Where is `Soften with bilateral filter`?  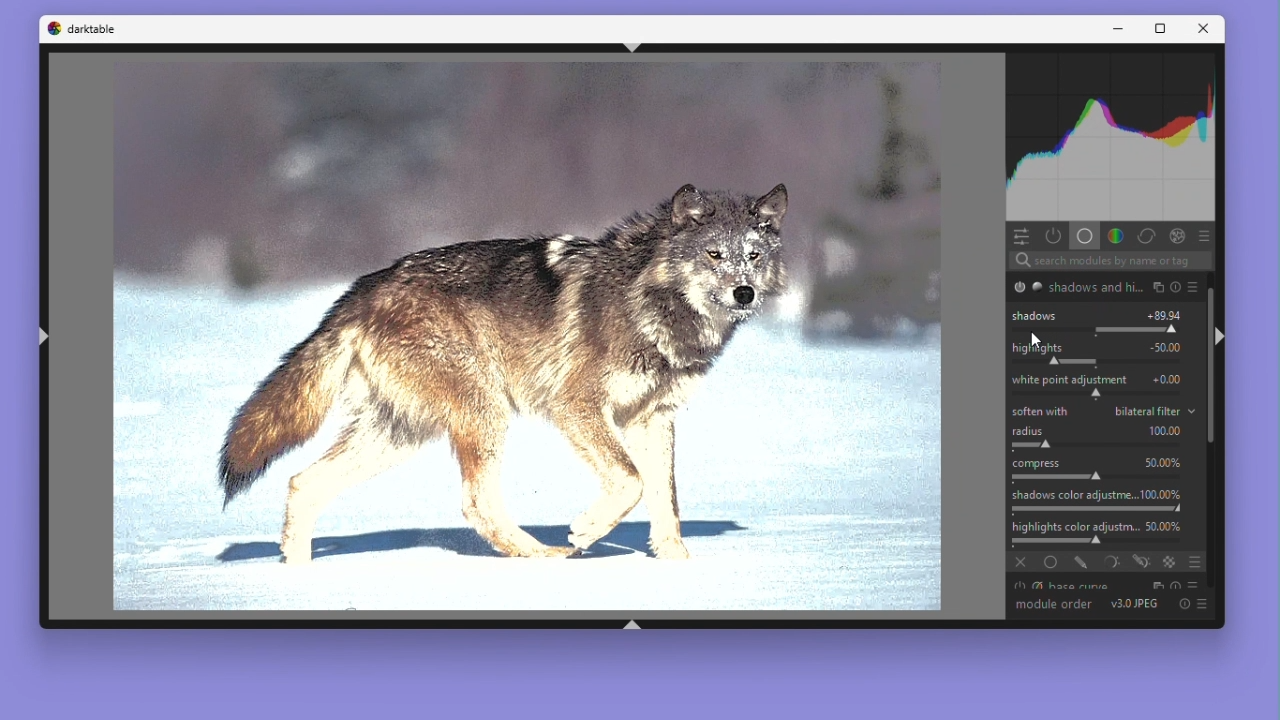
Soften with bilateral filter is located at coordinates (1037, 413).